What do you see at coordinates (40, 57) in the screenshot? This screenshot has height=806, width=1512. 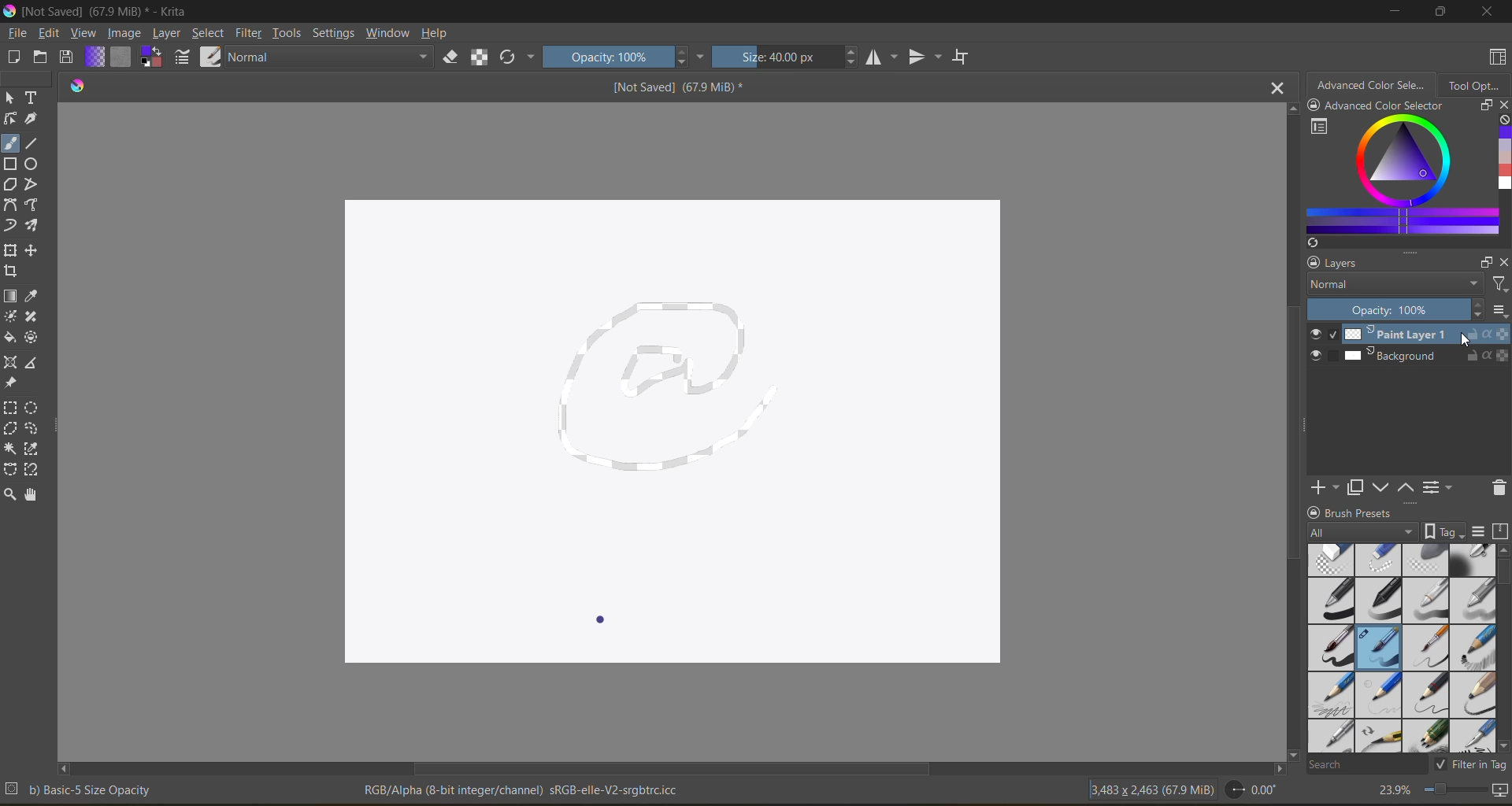 I see `open` at bounding box center [40, 57].